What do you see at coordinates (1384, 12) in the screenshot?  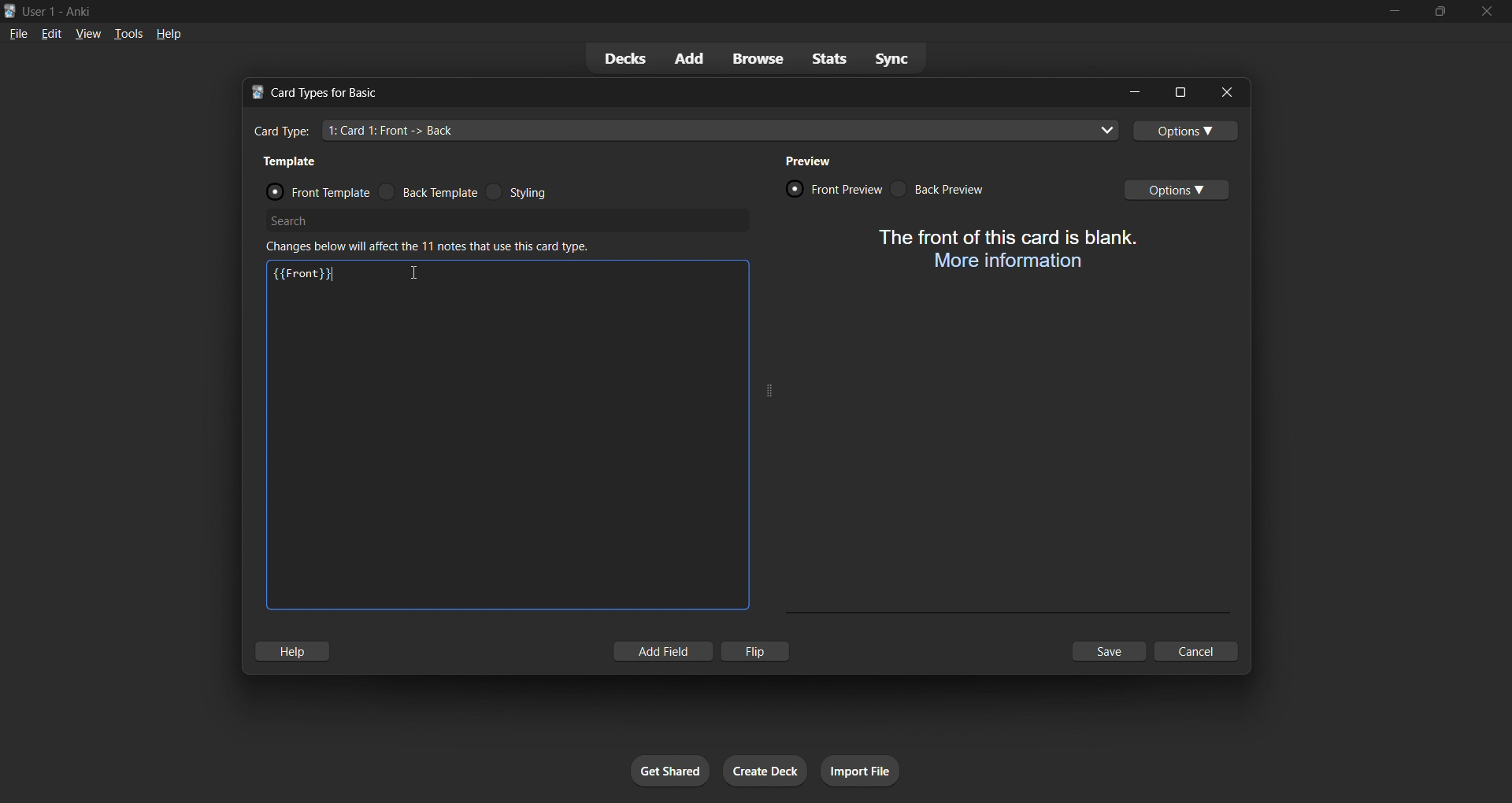 I see `minimize` at bounding box center [1384, 12].